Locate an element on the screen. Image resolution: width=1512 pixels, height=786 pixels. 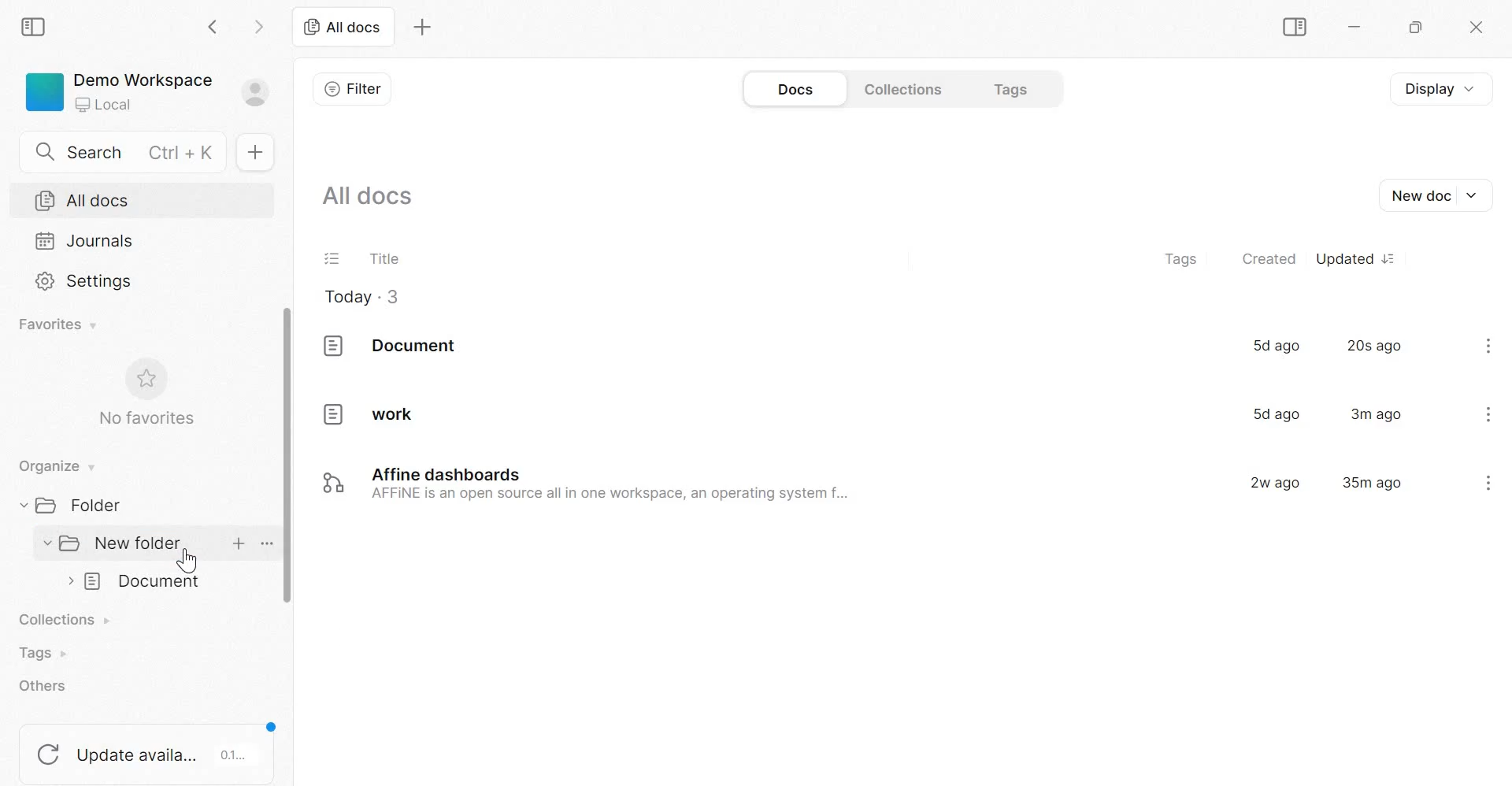
go back is located at coordinates (215, 26).